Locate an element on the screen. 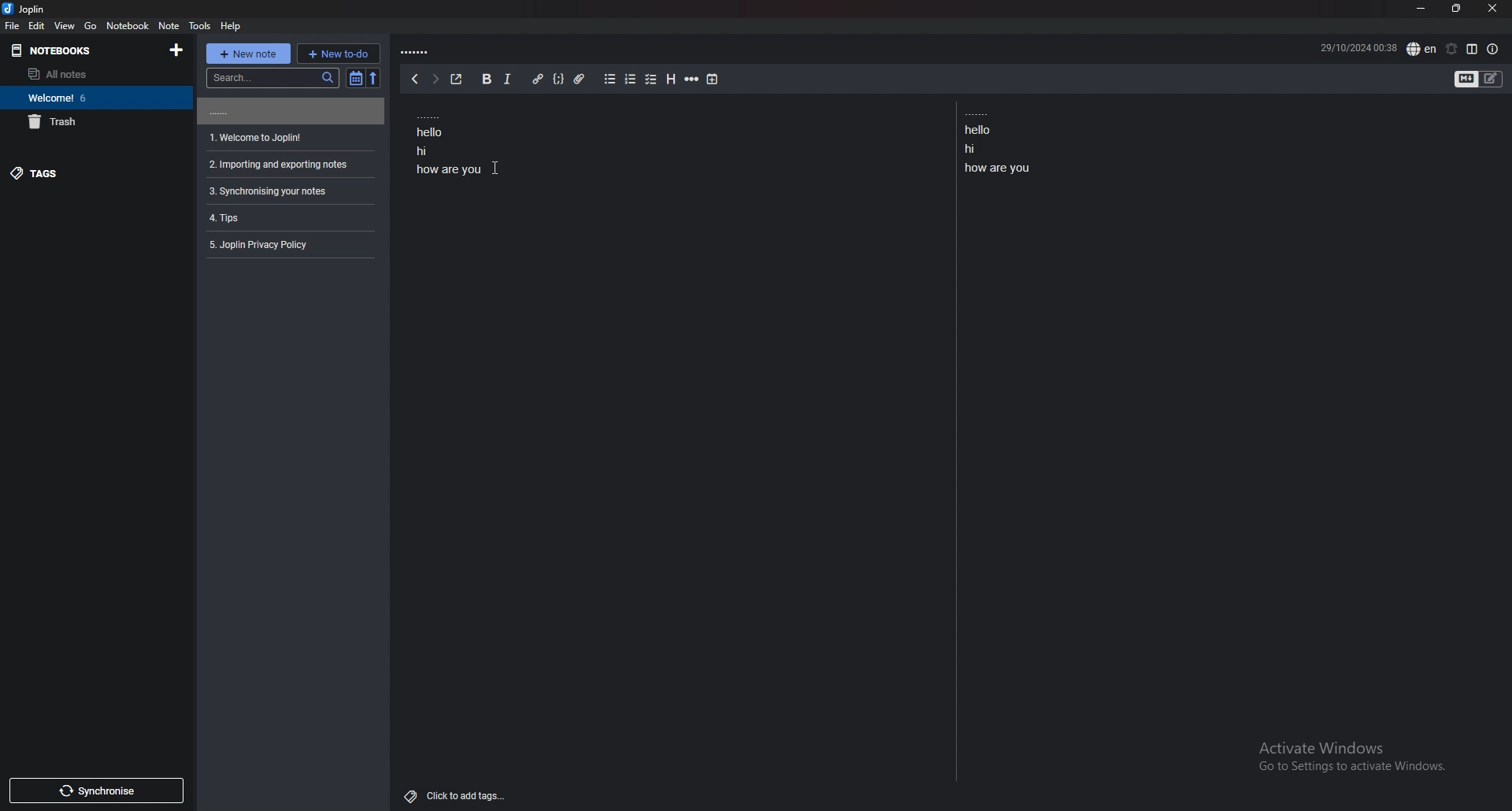 Image resolution: width=1512 pixels, height=811 pixels. numbered list is located at coordinates (631, 80).